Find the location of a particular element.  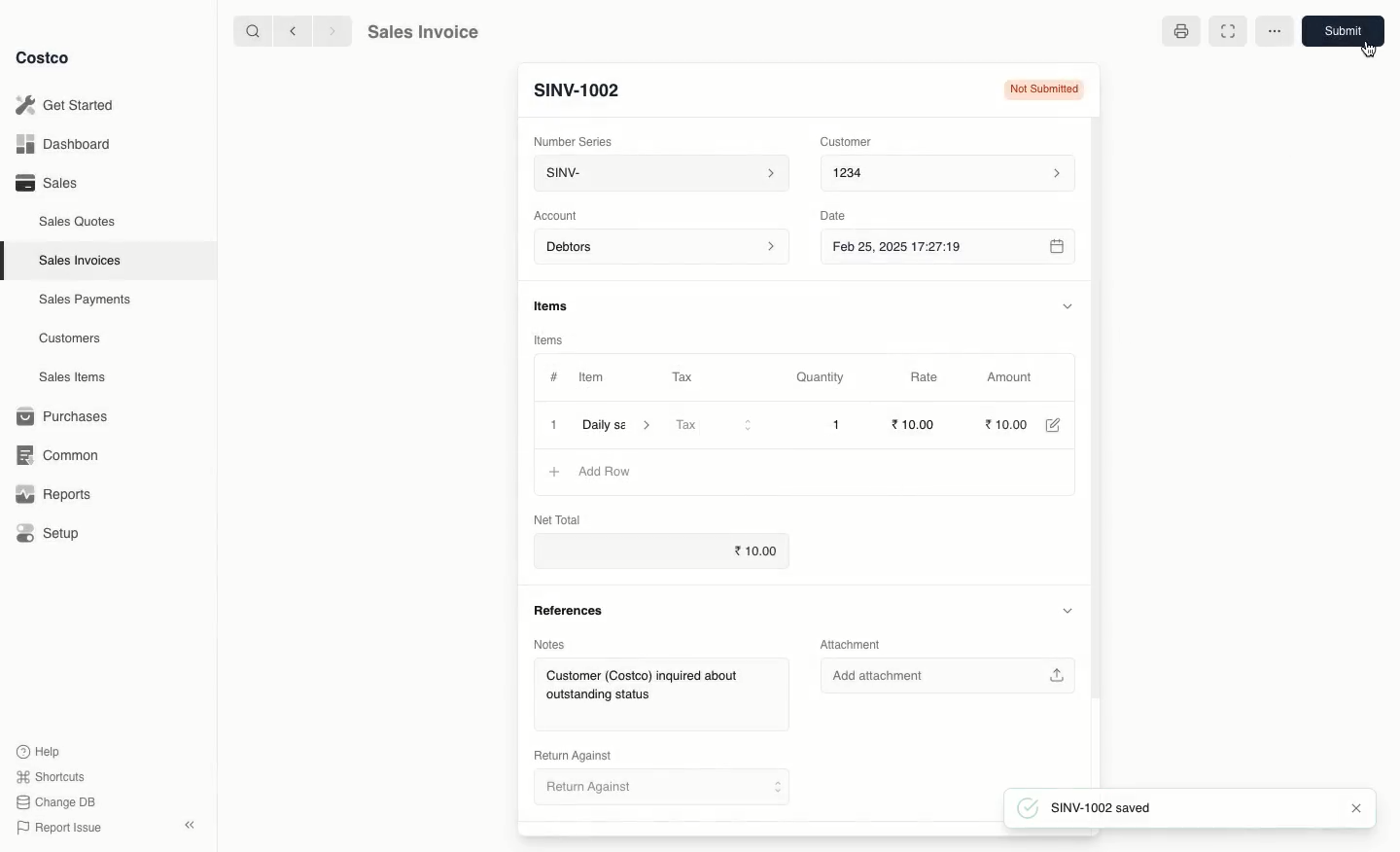

Add is located at coordinates (556, 472).